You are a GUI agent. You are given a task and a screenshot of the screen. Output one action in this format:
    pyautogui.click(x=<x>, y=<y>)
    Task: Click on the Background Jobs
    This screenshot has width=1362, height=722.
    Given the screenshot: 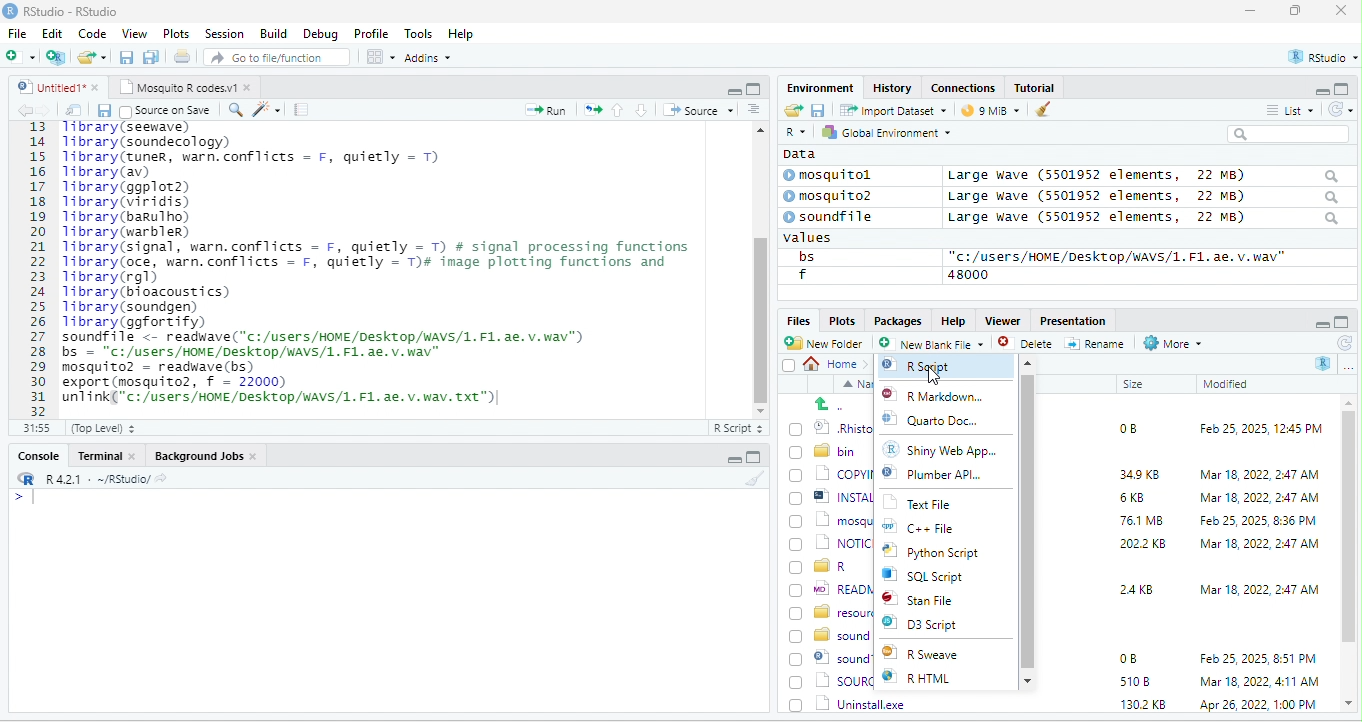 What is the action you would take?
    pyautogui.click(x=205, y=455)
    